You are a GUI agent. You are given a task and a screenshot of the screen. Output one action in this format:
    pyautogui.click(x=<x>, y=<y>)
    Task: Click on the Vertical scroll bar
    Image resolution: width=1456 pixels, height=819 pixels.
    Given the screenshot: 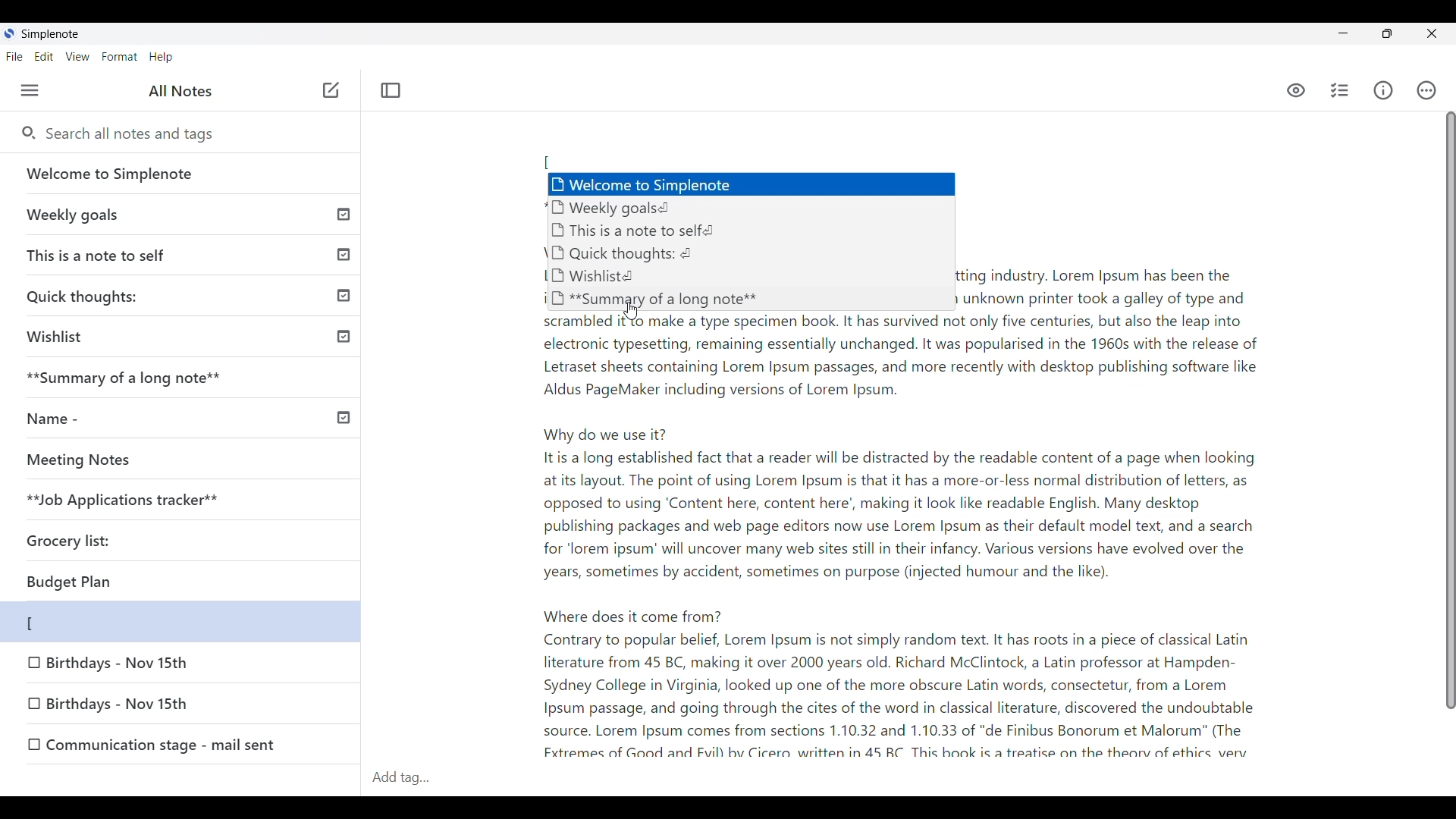 What is the action you would take?
    pyautogui.click(x=1442, y=419)
    